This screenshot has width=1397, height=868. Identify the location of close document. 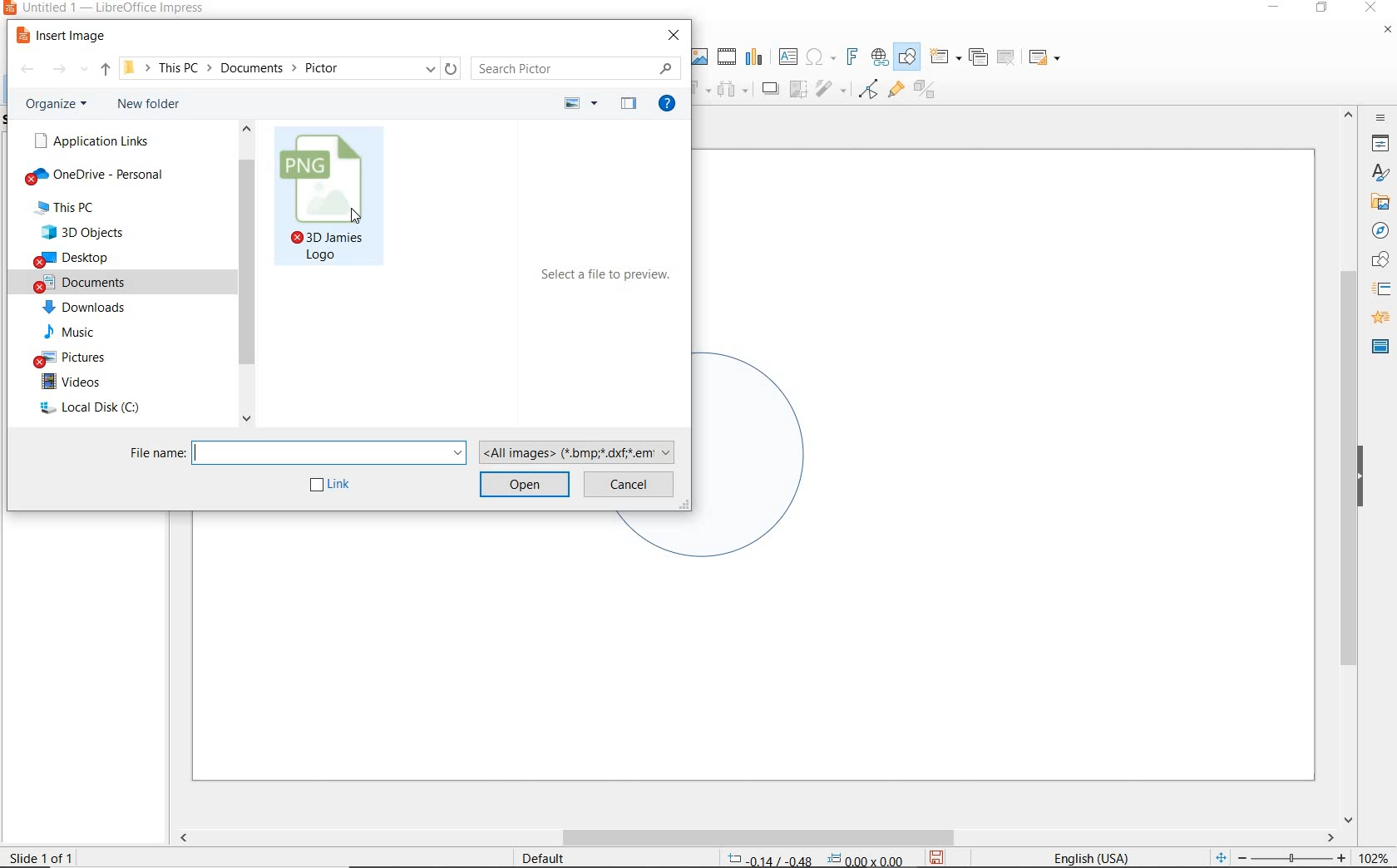
(1387, 33).